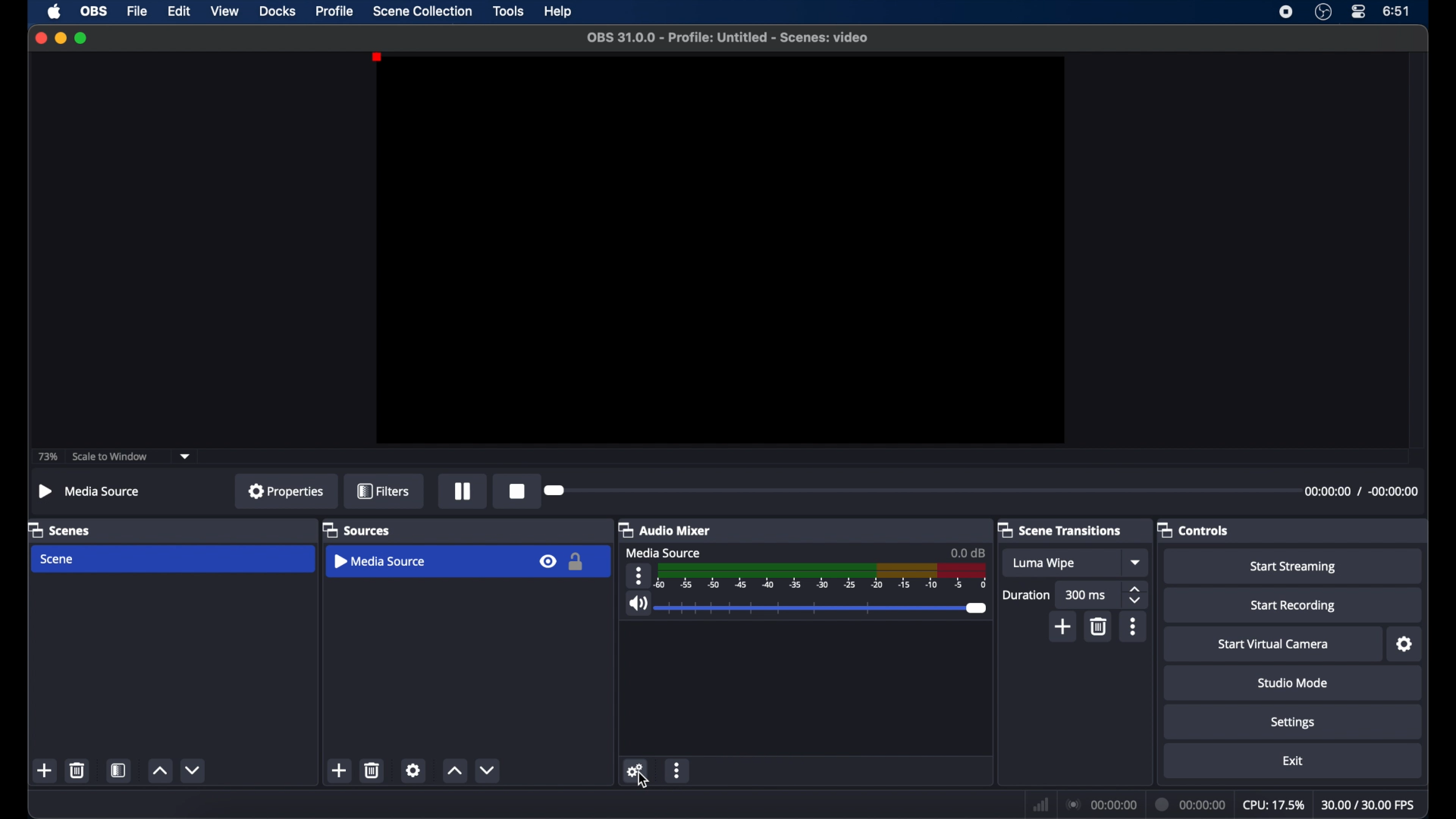  I want to click on add, so click(340, 770).